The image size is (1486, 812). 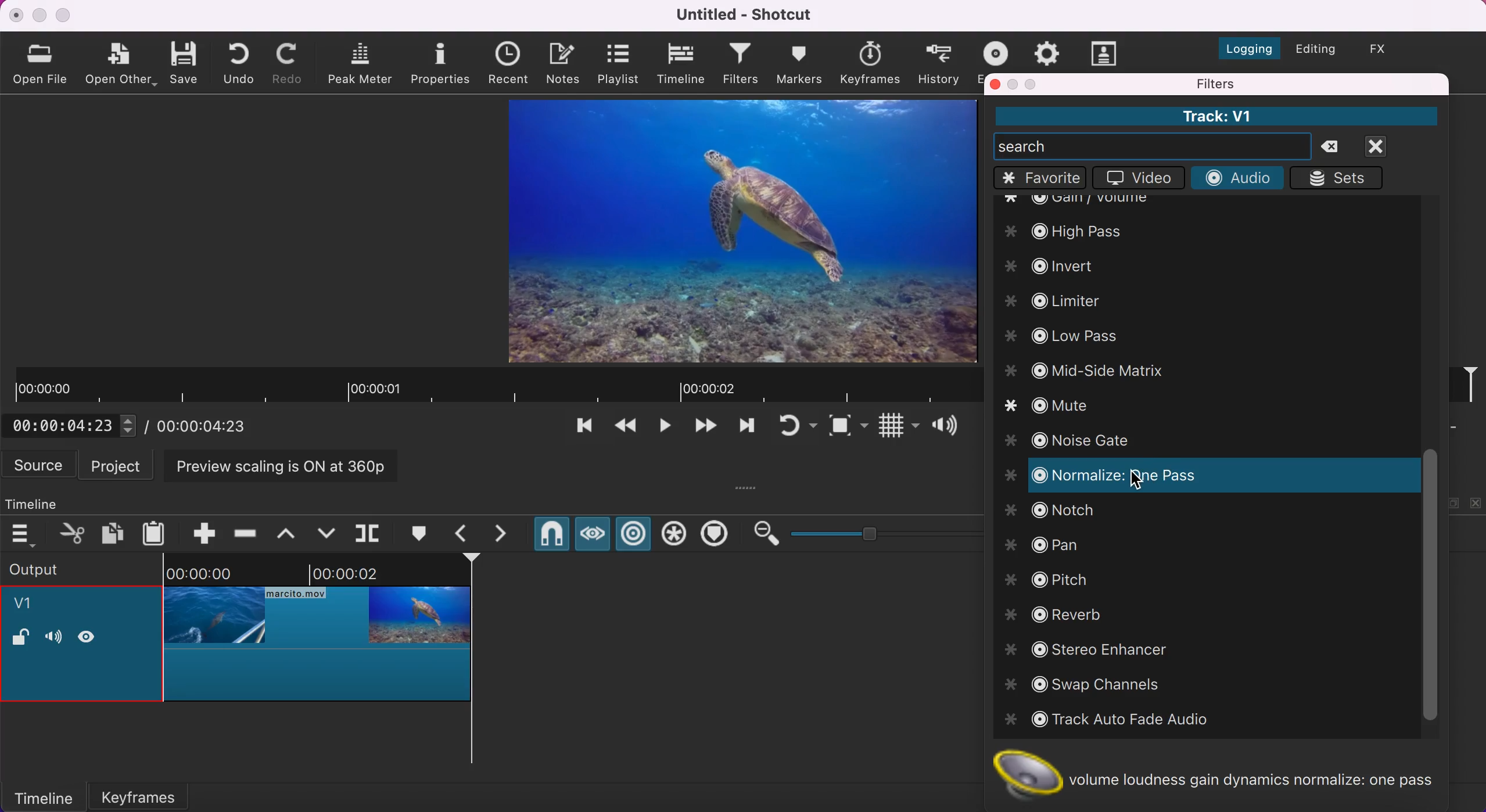 What do you see at coordinates (1225, 774) in the screenshot?
I see `volume loudness gain dynamics normalize: one pass` at bounding box center [1225, 774].